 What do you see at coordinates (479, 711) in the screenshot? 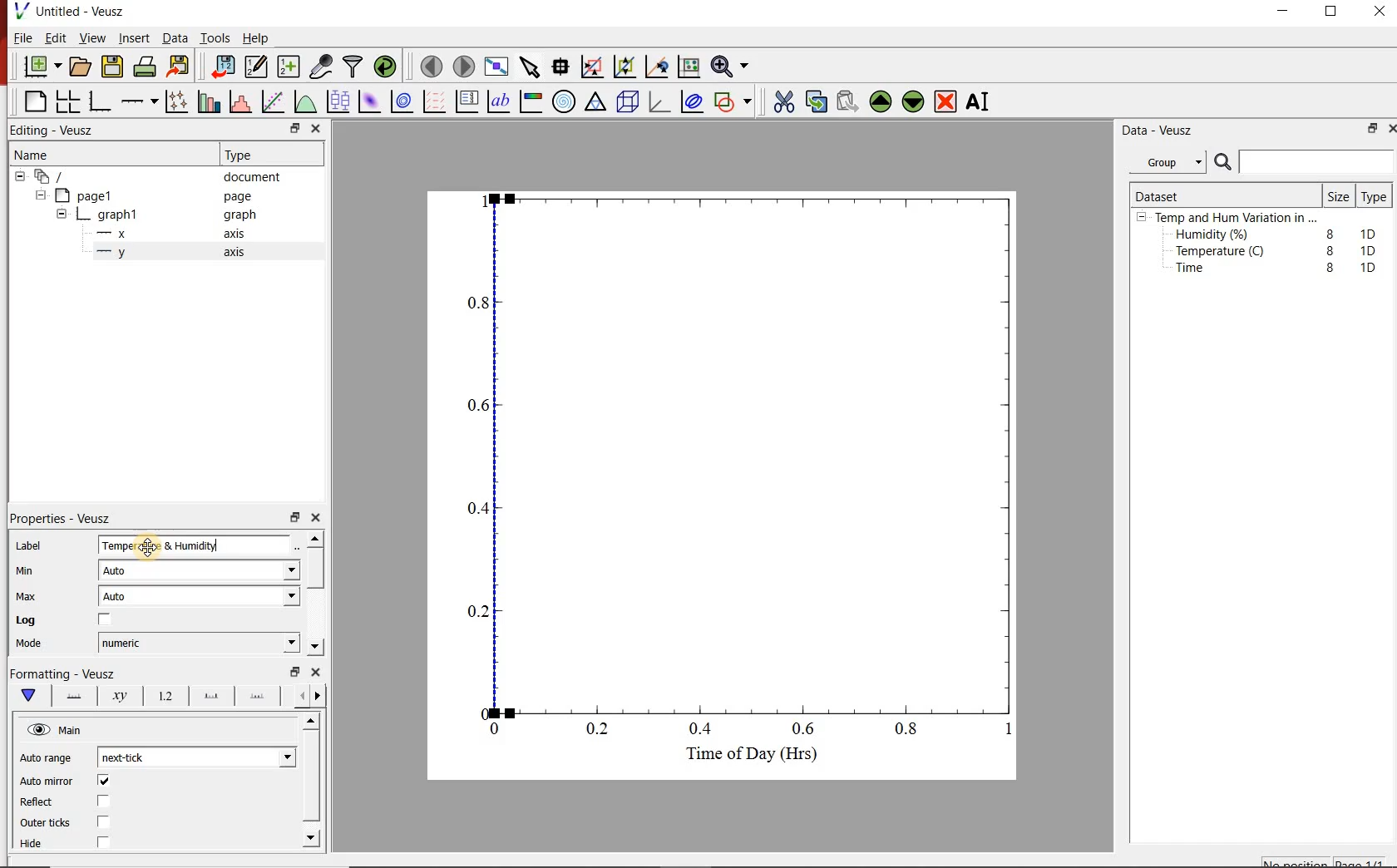
I see `0` at bounding box center [479, 711].